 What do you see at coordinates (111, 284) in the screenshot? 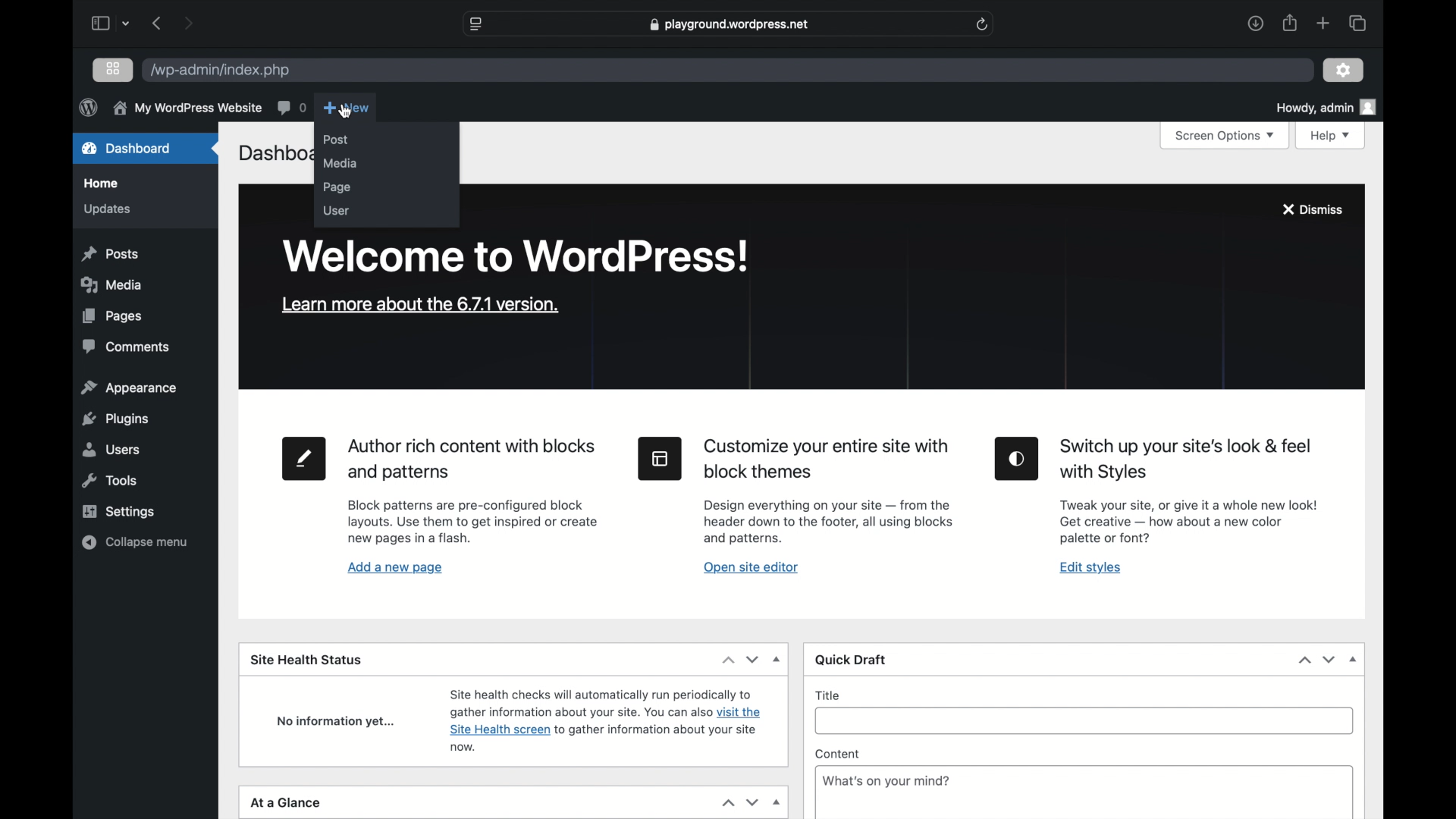
I see `media` at bounding box center [111, 284].